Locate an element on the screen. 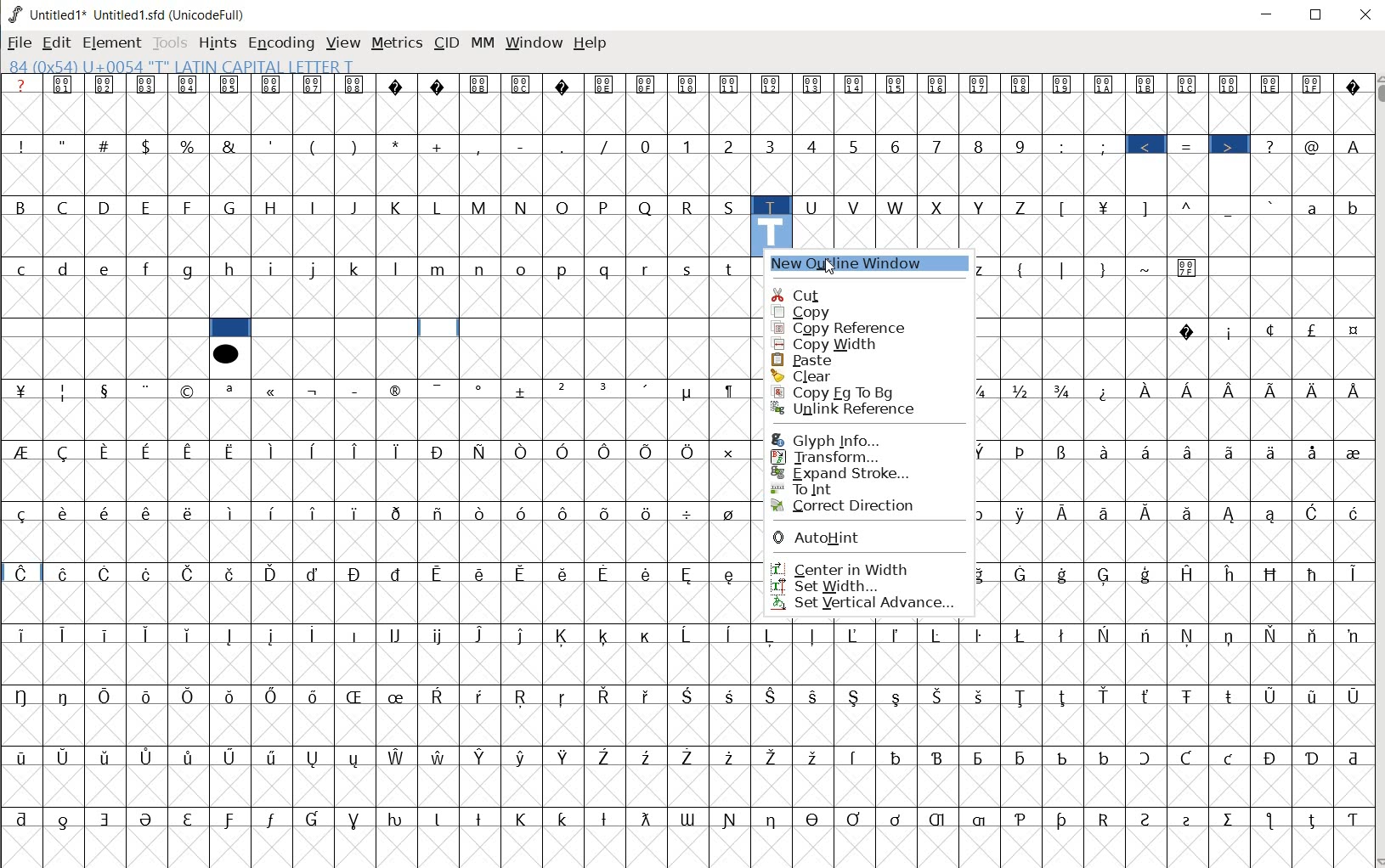  E is located at coordinates (149, 208).